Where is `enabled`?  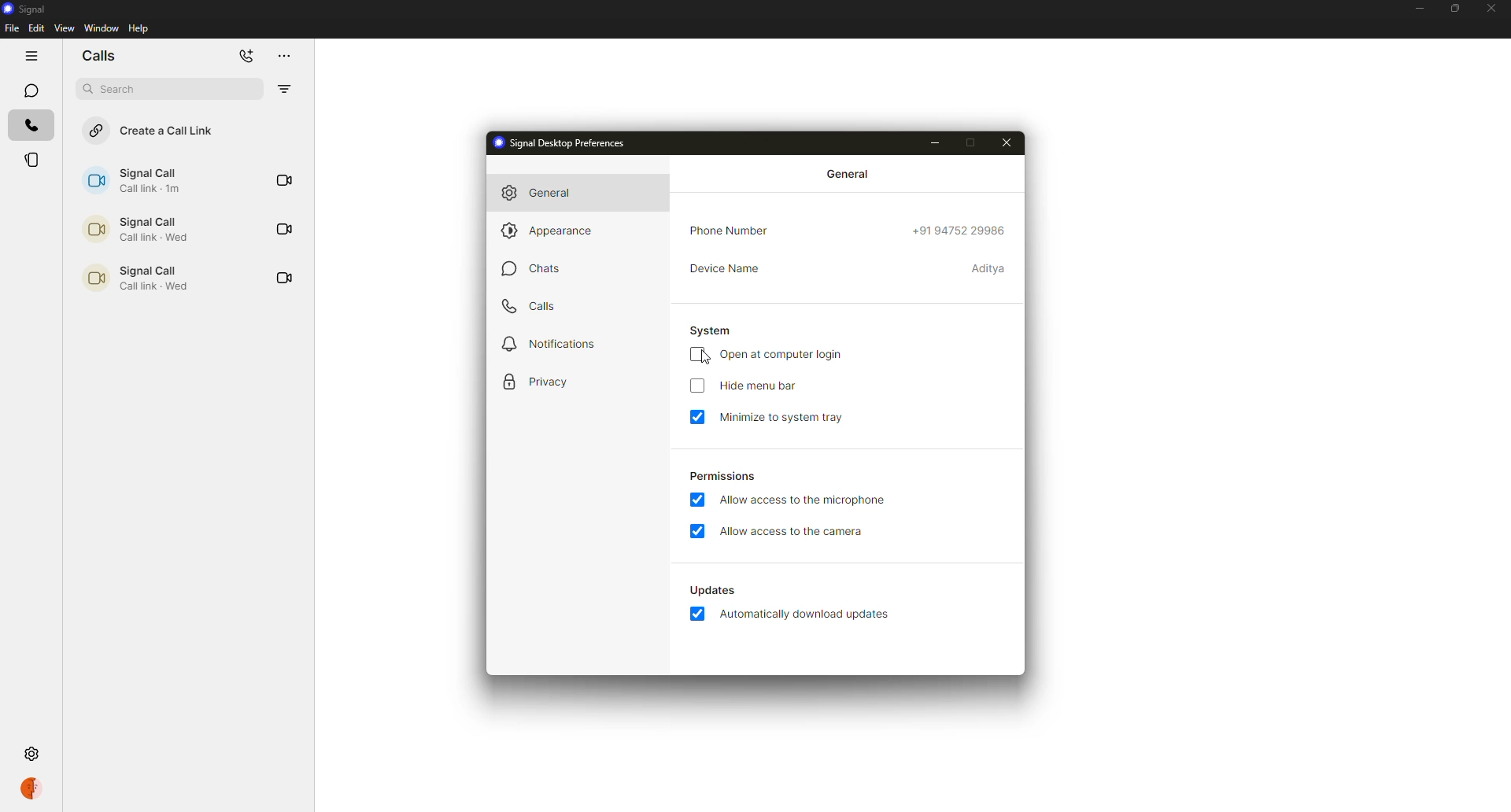 enabled is located at coordinates (699, 416).